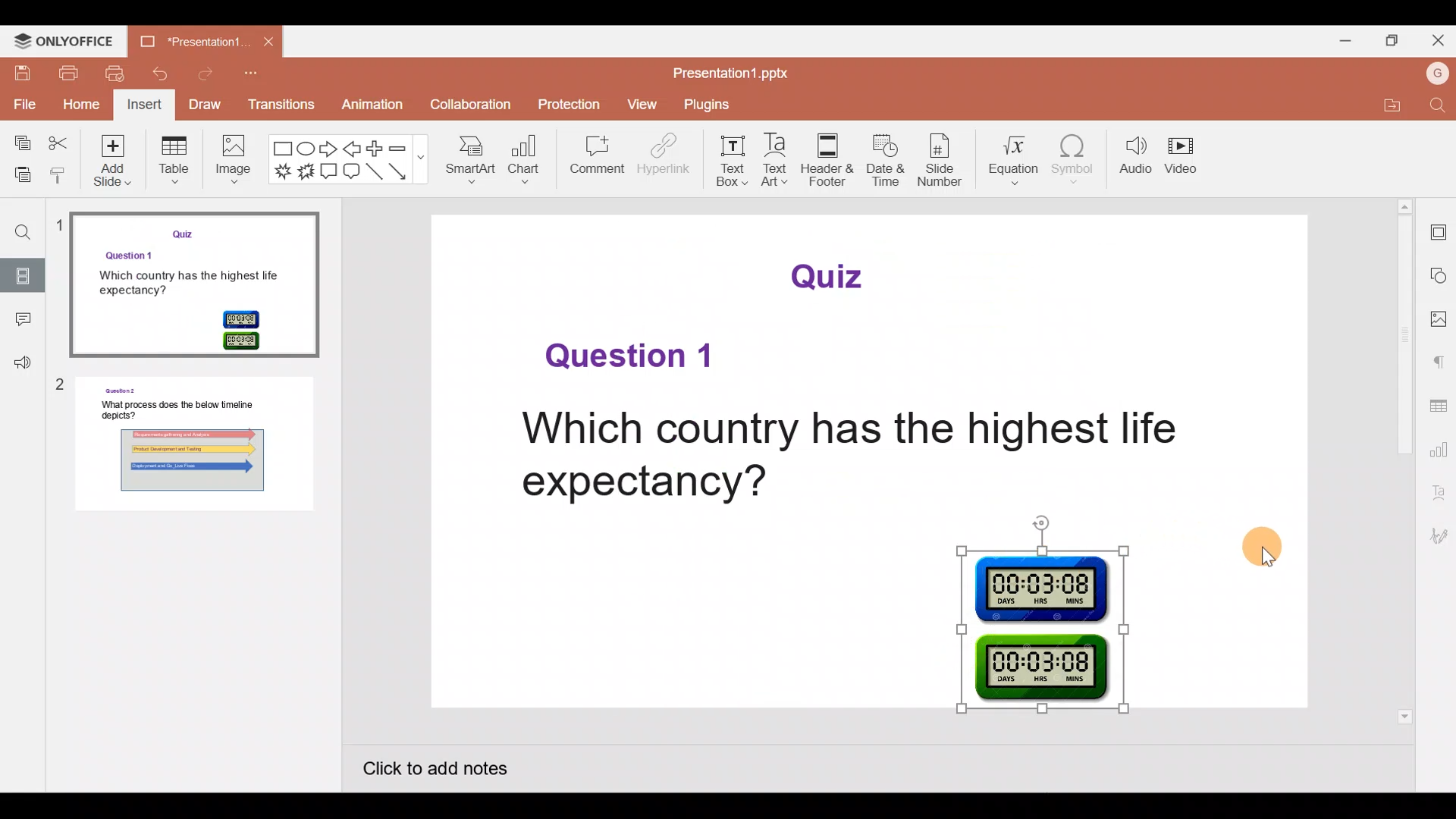 This screenshot has height=819, width=1456. What do you see at coordinates (195, 39) in the screenshot?
I see `Presentation1.` at bounding box center [195, 39].